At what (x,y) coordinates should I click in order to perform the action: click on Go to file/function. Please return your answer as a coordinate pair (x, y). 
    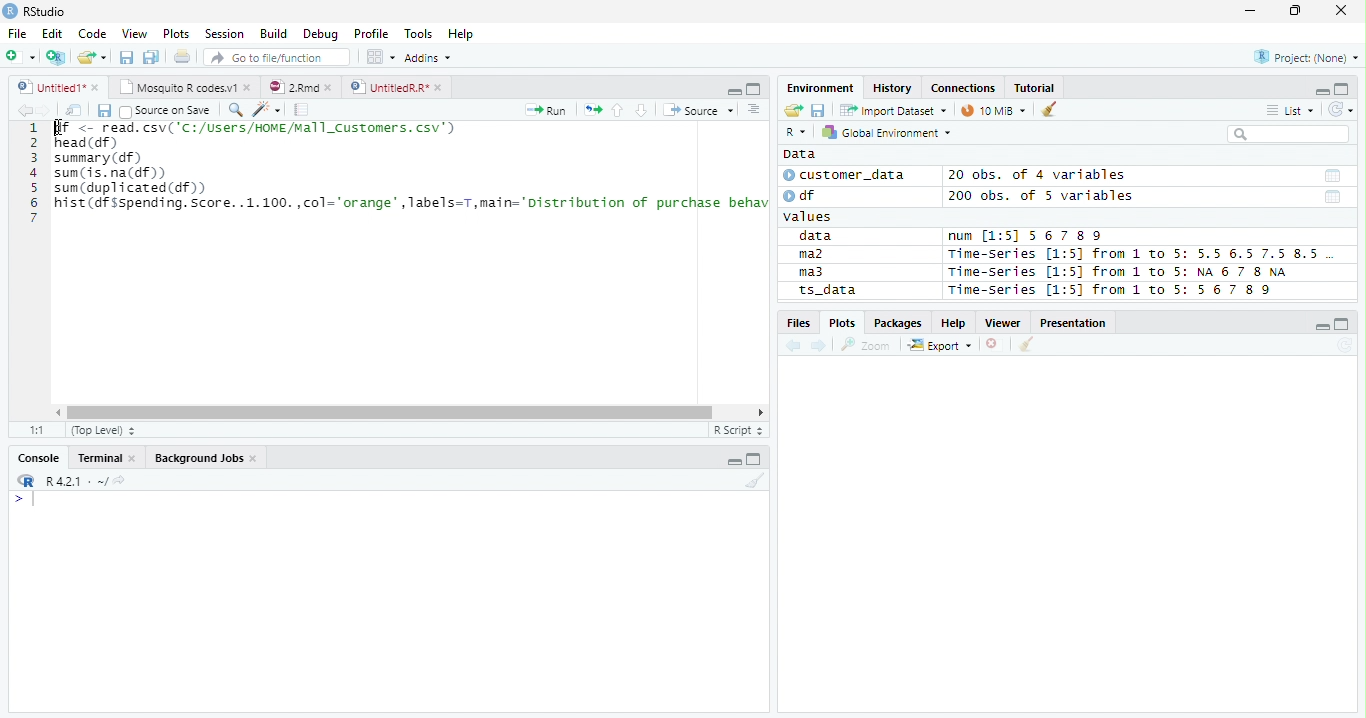
    Looking at the image, I should click on (274, 58).